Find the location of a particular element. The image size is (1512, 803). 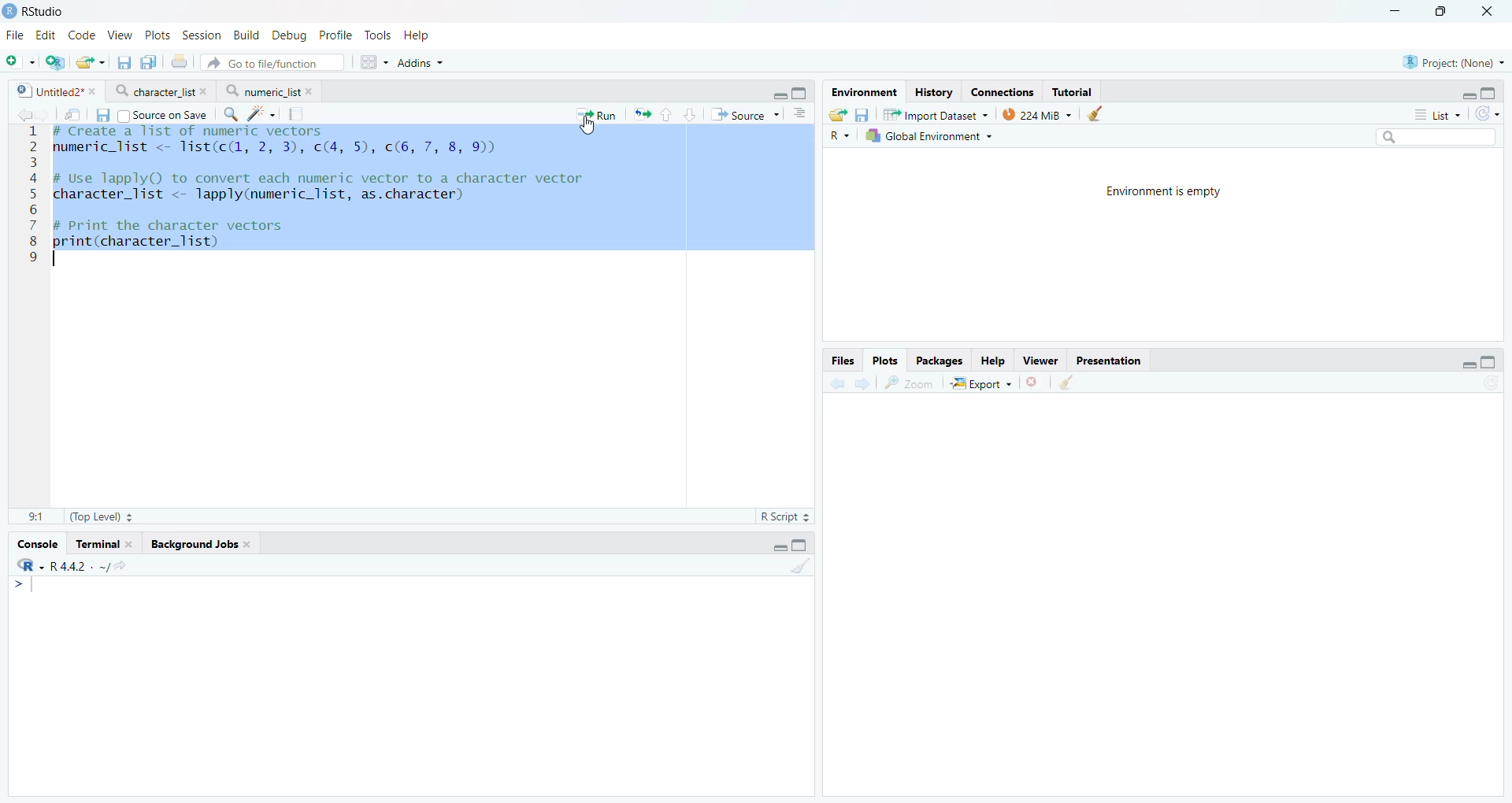

Clear is located at coordinates (1071, 383).